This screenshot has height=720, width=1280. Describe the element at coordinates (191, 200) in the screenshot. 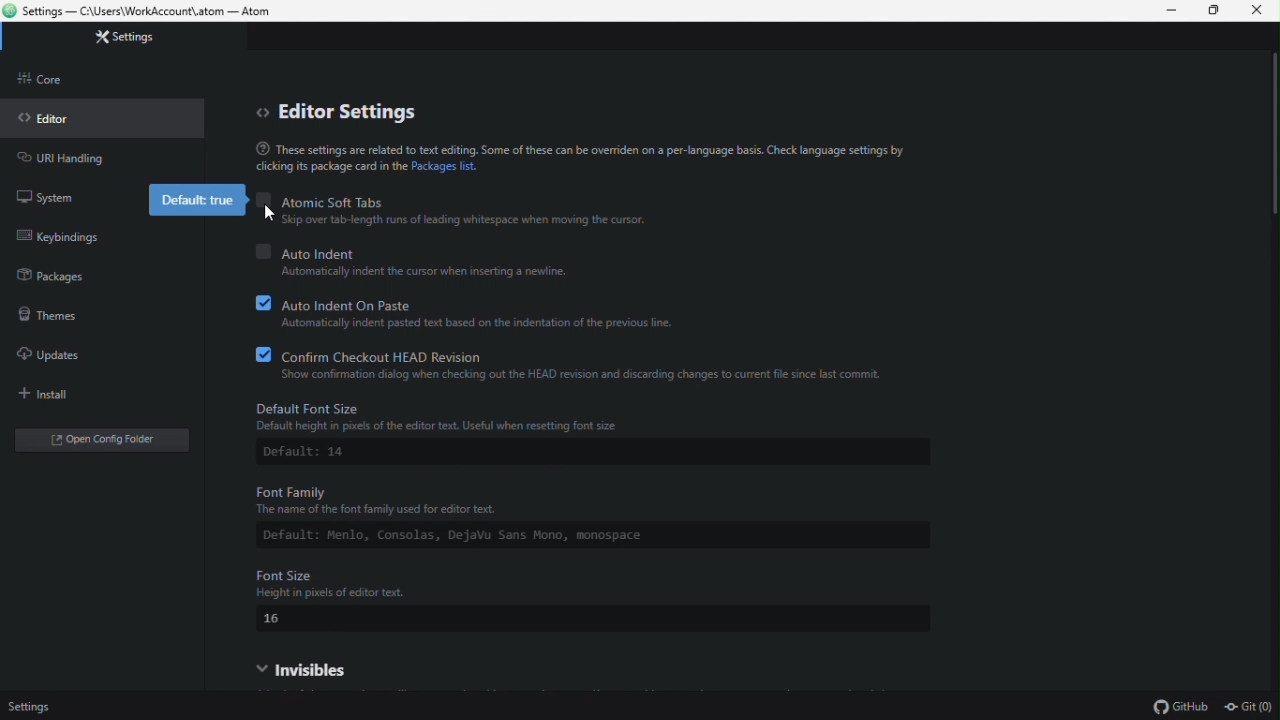

I see `Default true` at that location.